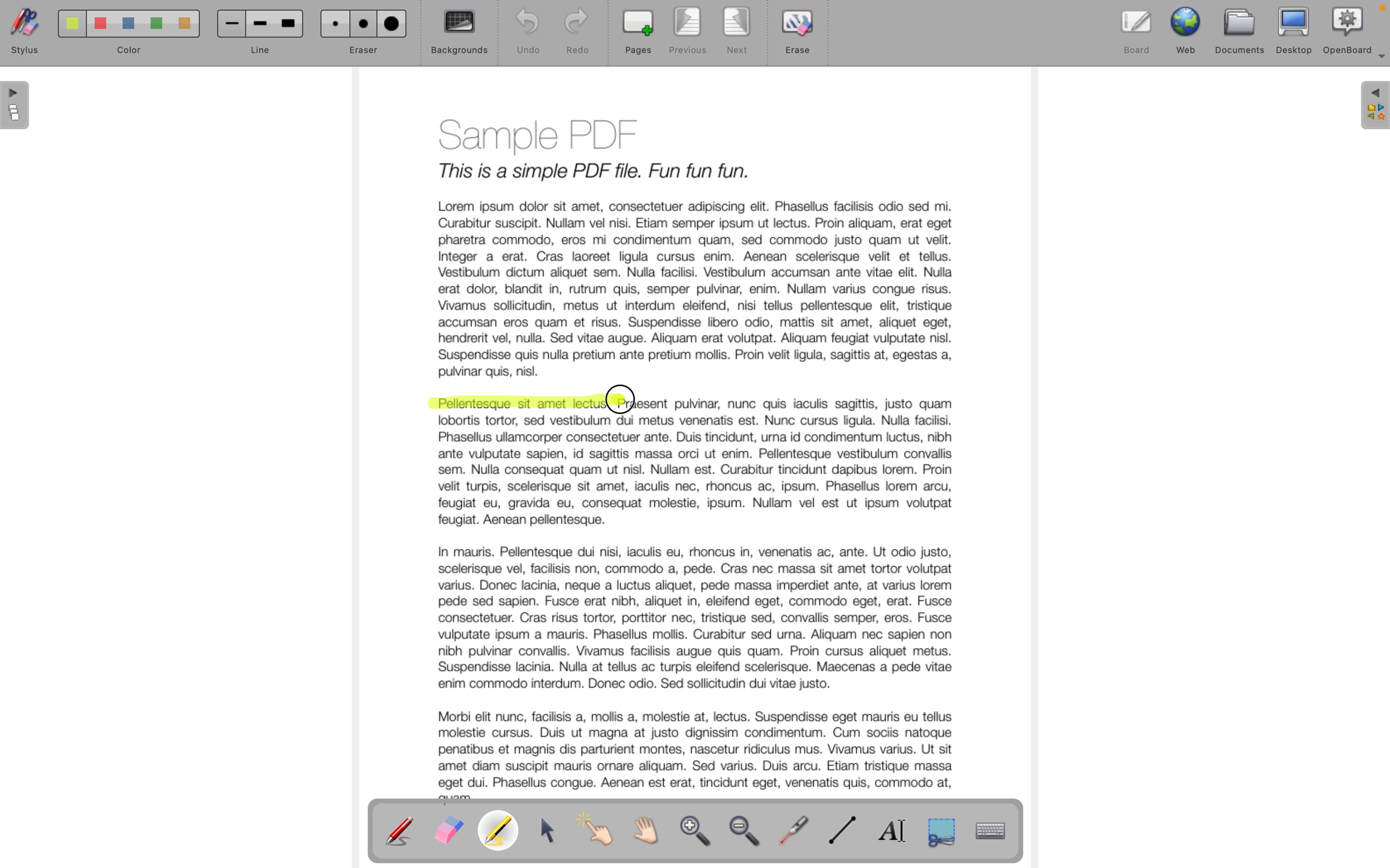  What do you see at coordinates (550, 831) in the screenshot?
I see `select` at bounding box center [550, 831].